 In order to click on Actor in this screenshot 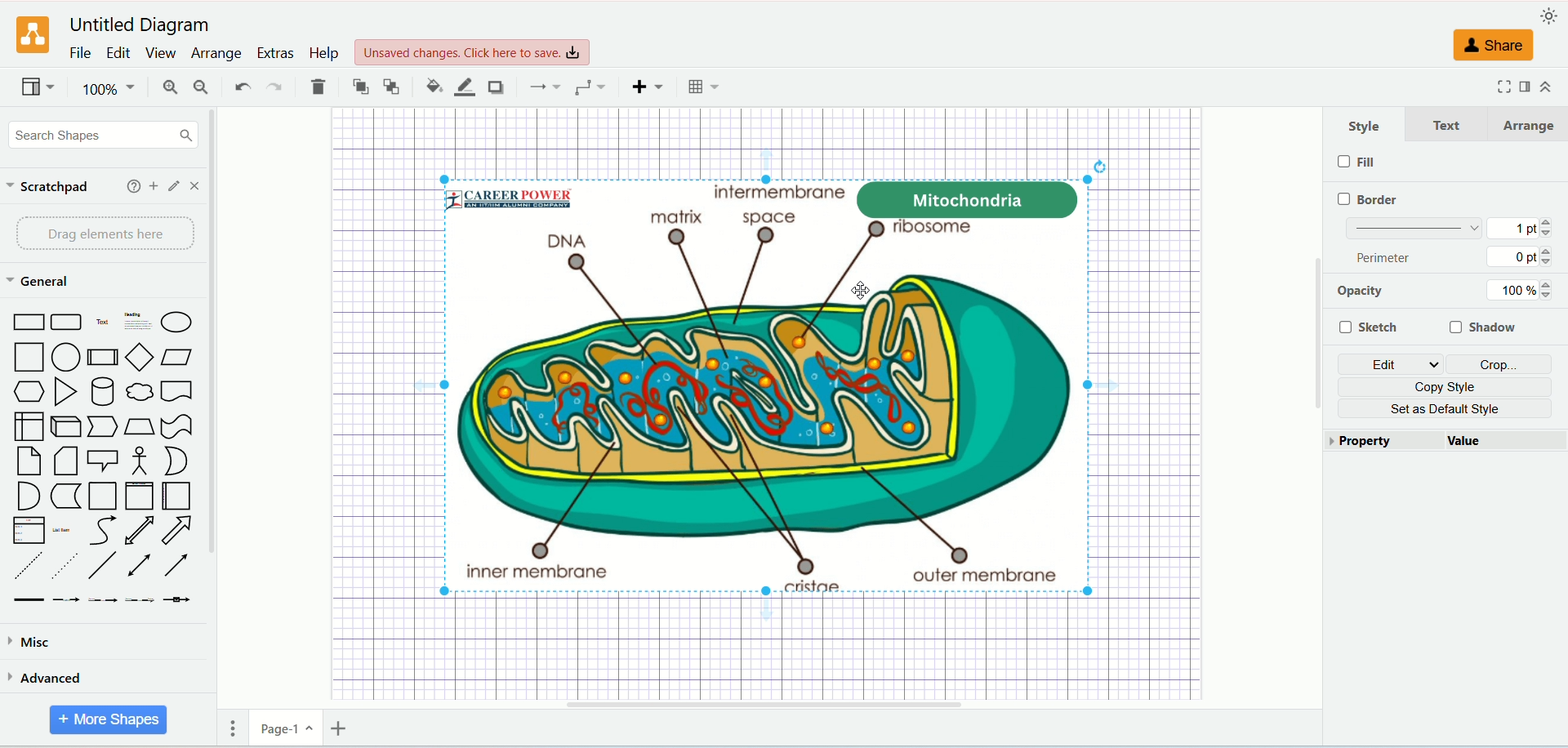, I will do `click(138, 461)`.